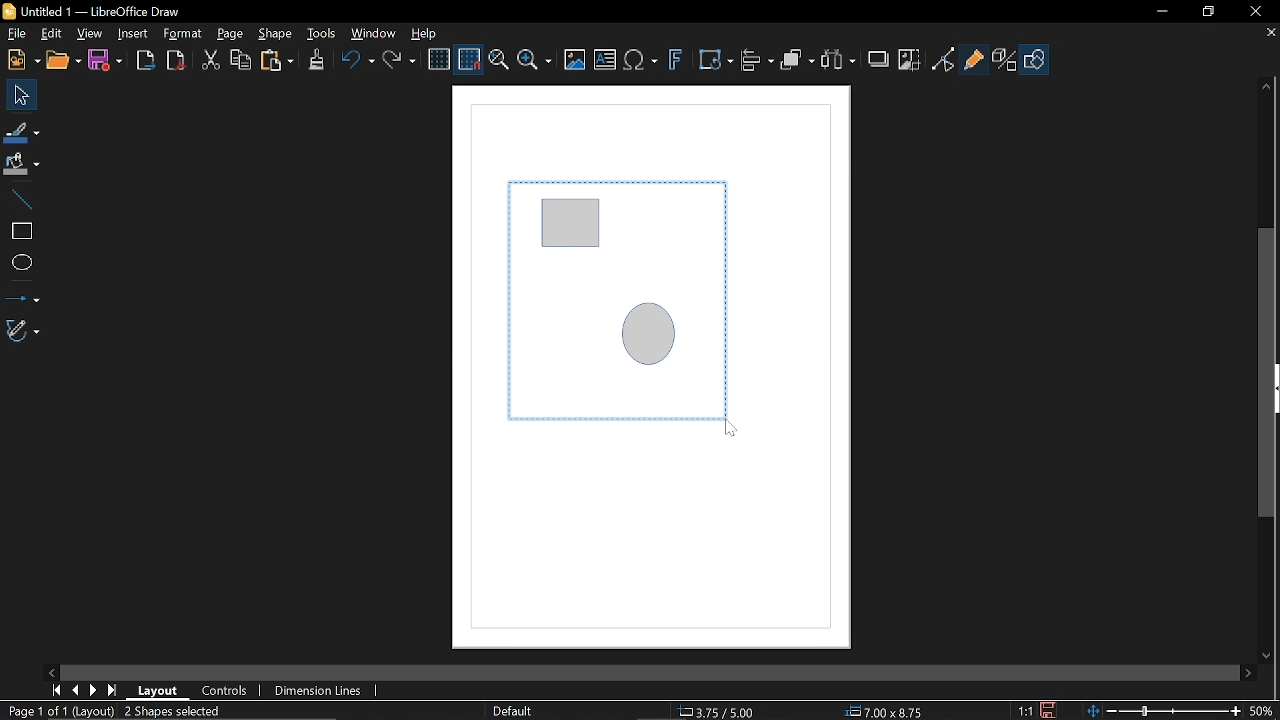 The height and width of the screenshot is (720, 1280). I want to click on Change Zoom, so click(1166, 712).